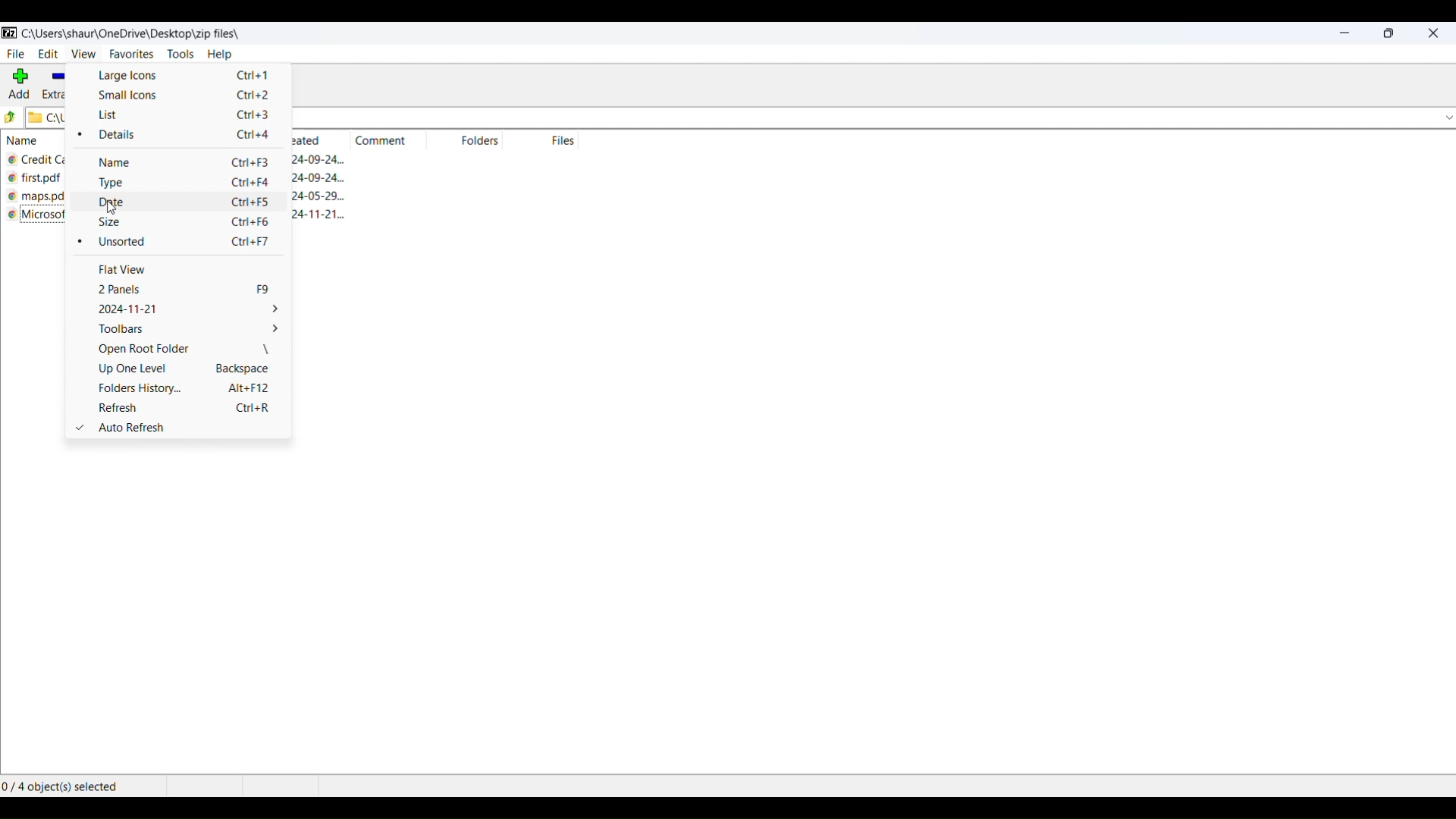  What do you see at coordinates (184, 205) in the screenshot?
I see `date` at bounding box center [184, 205].